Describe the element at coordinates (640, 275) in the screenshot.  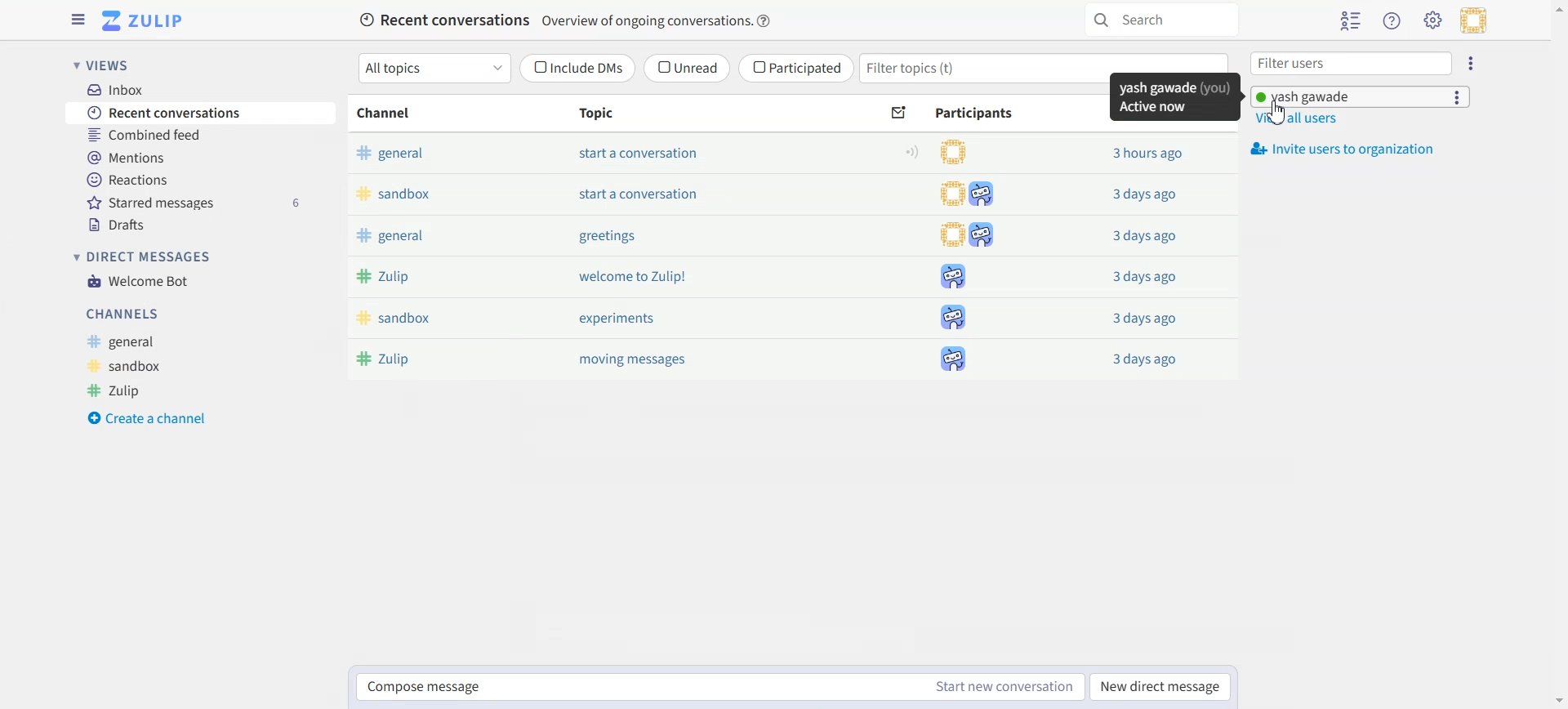
I see `welcome to Zulip!` at that location.